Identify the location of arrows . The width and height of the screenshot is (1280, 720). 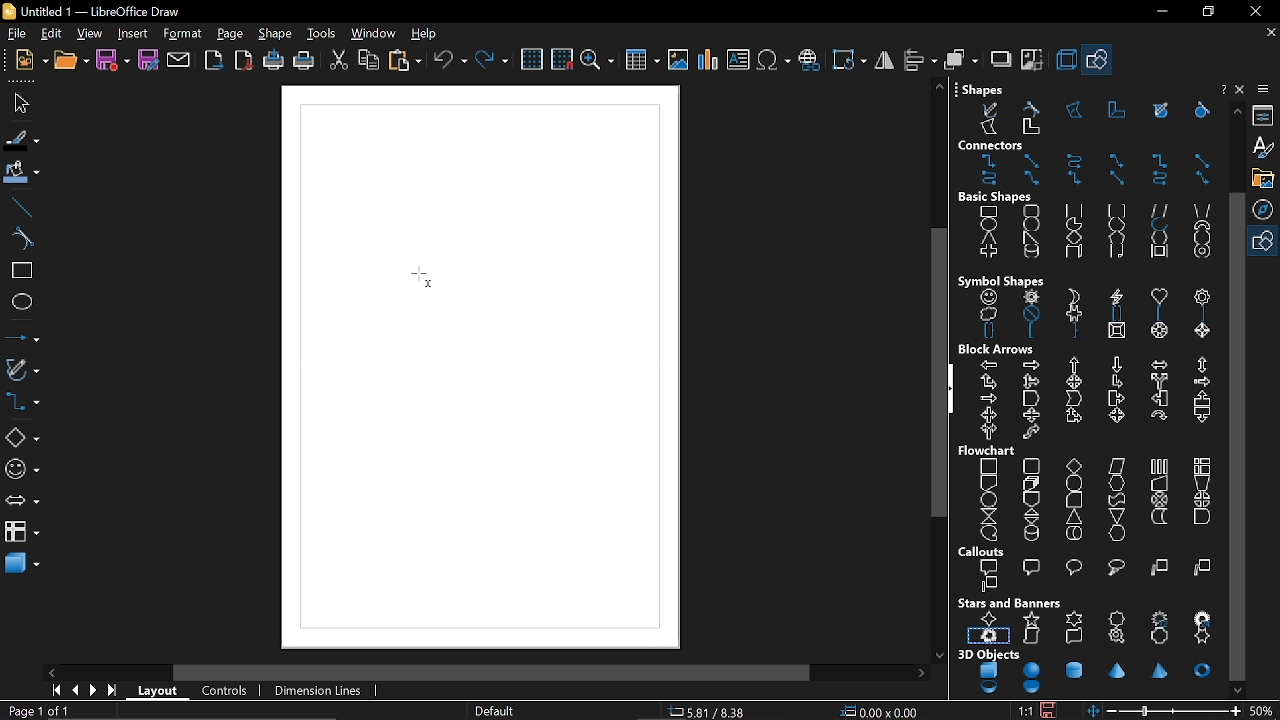
(20, 503).